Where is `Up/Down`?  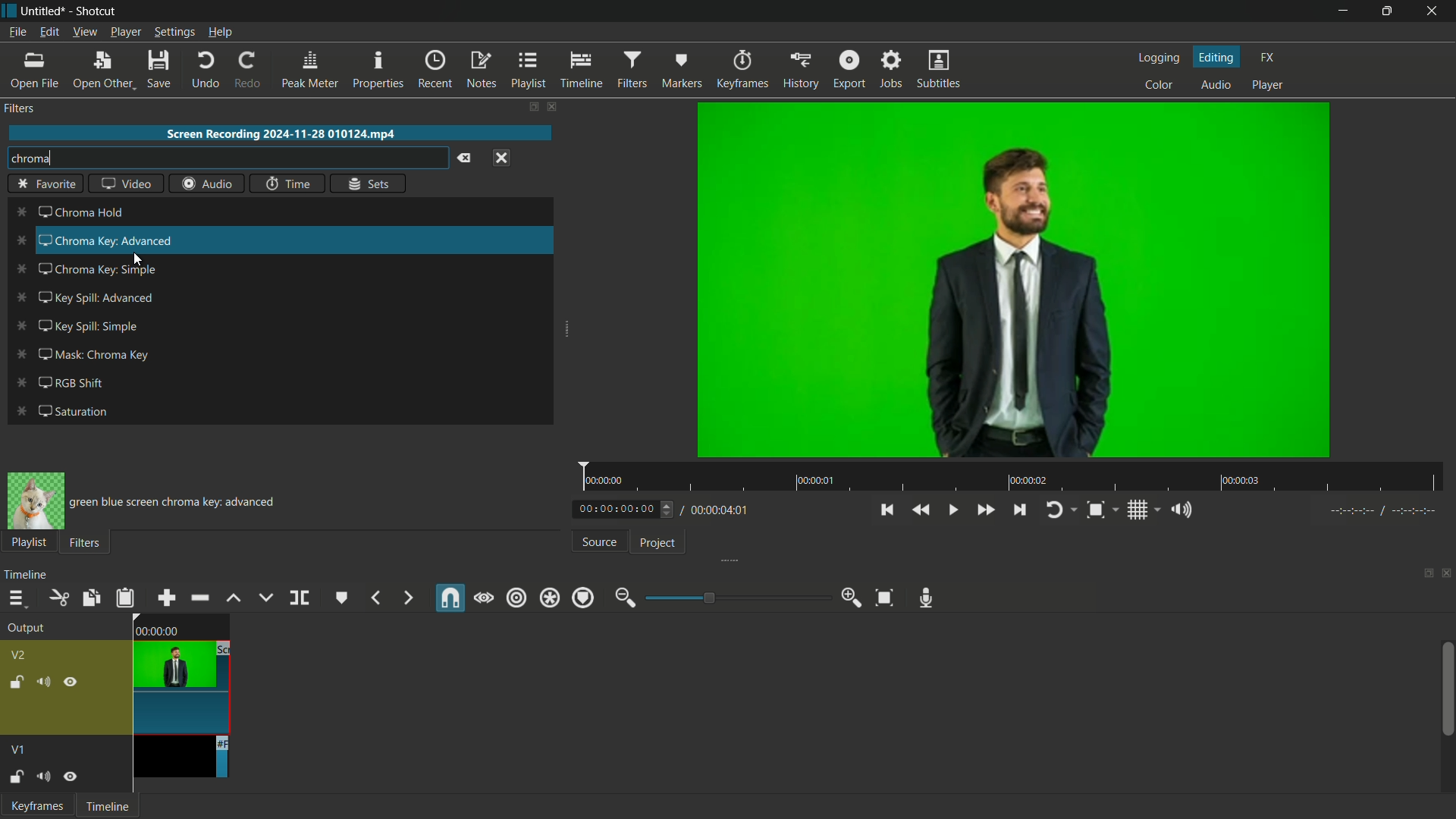 Up/Down is located at coordinates (670, 510).